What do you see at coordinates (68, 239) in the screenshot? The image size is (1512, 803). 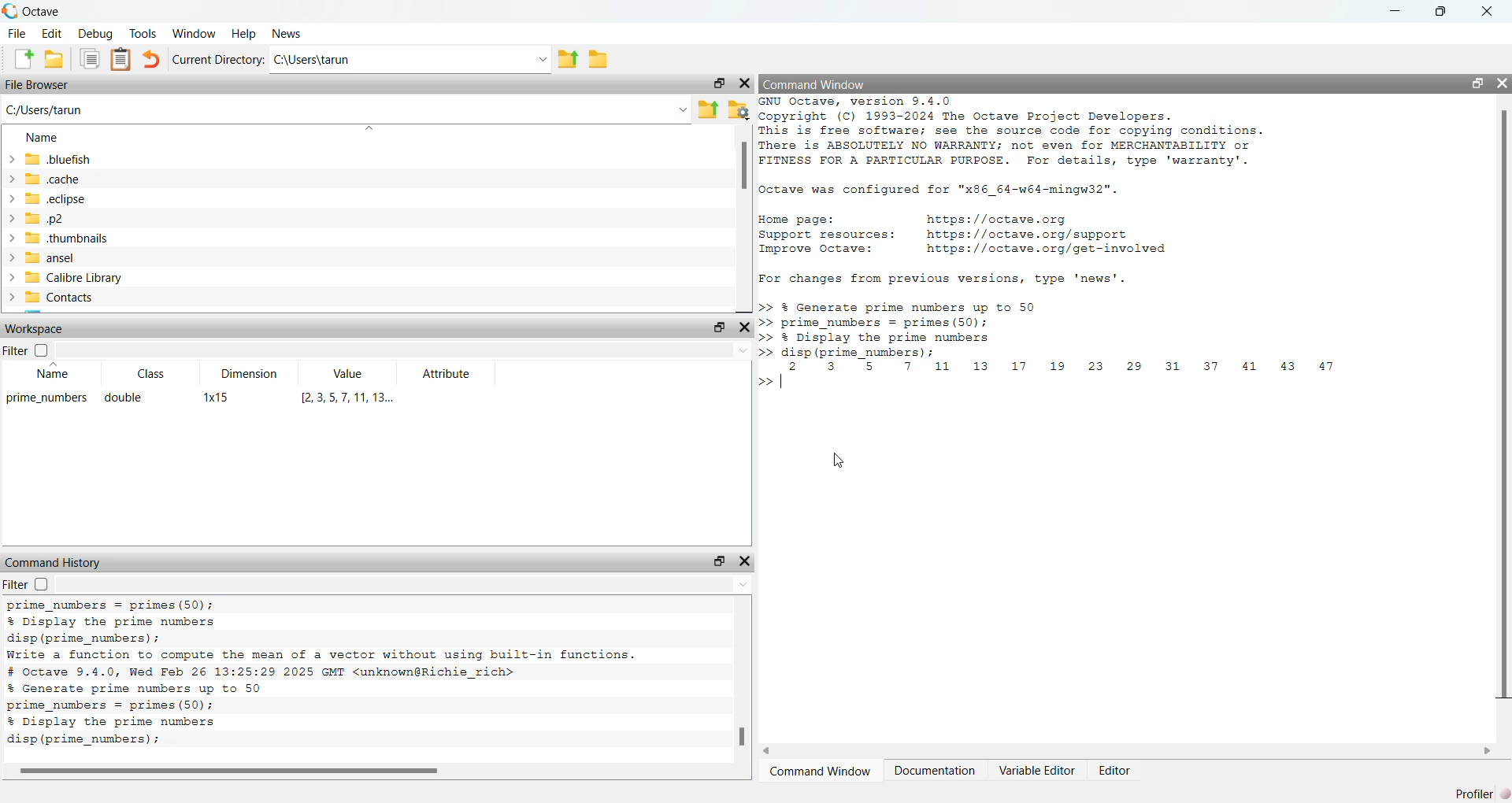 I see `.thumbnails` at bounding box center [68, 239].